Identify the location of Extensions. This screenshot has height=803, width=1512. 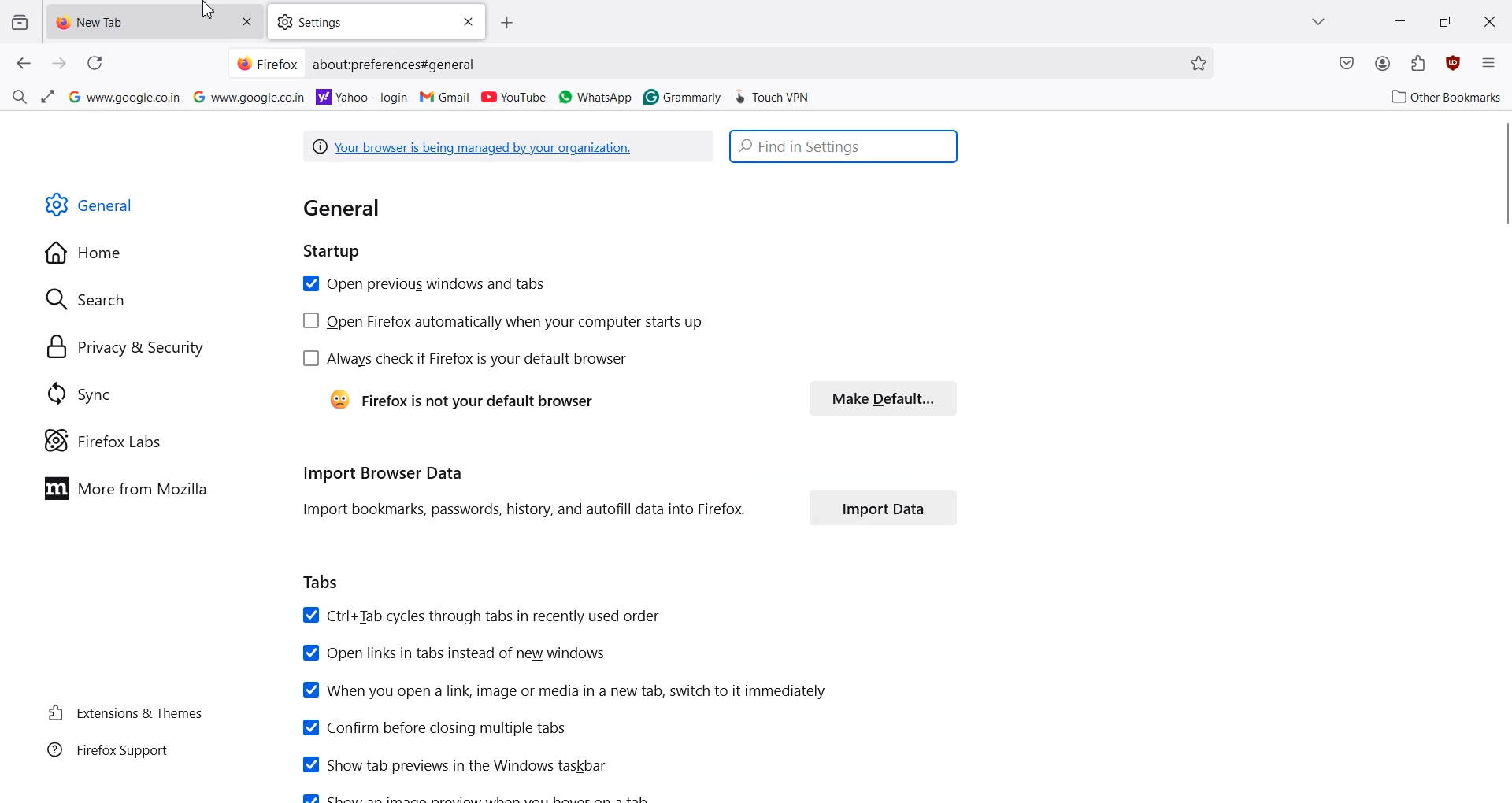
(1418, 63).